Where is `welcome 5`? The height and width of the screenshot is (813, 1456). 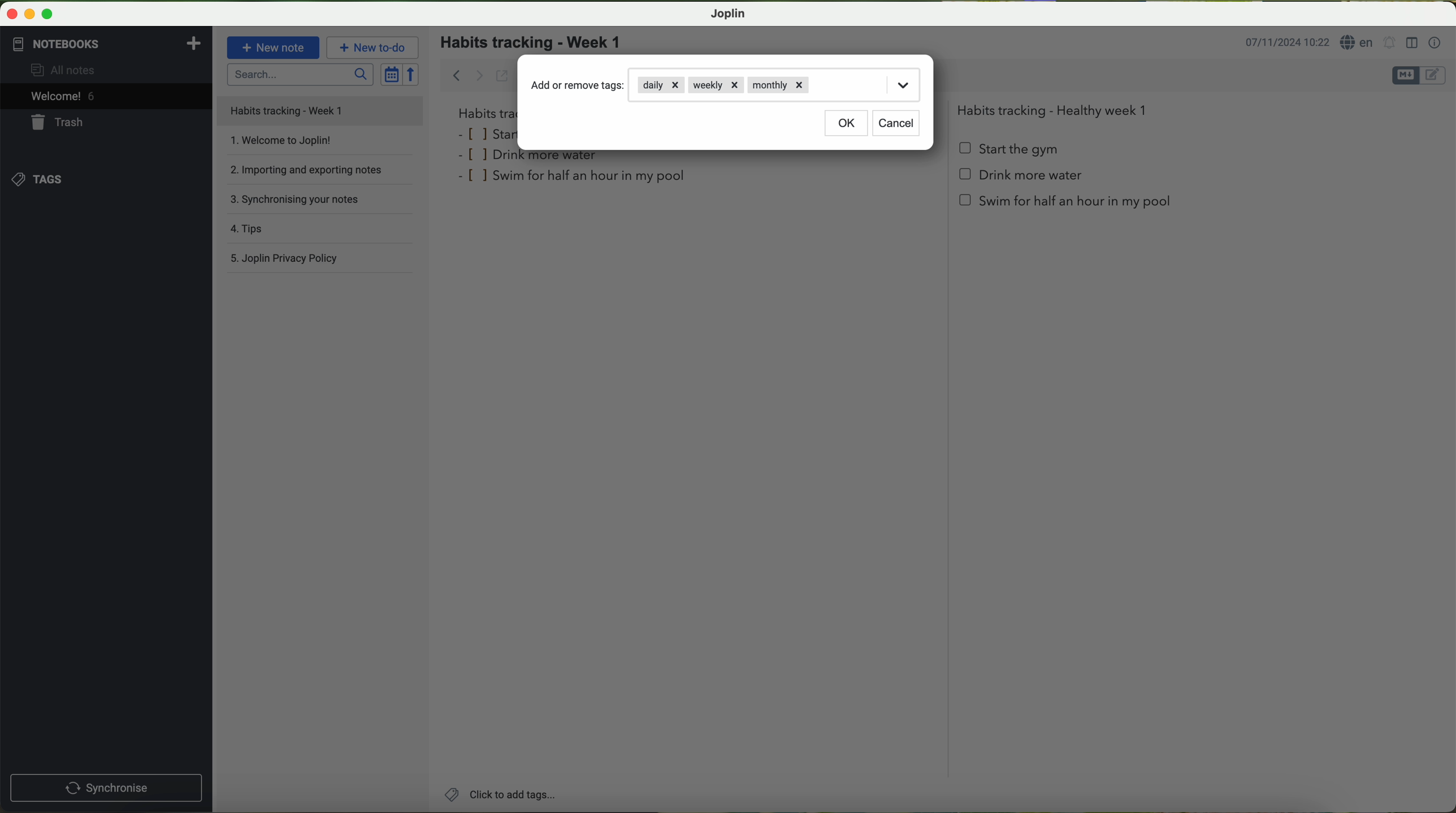 welcome 5 is located at coordinates (63, 96).